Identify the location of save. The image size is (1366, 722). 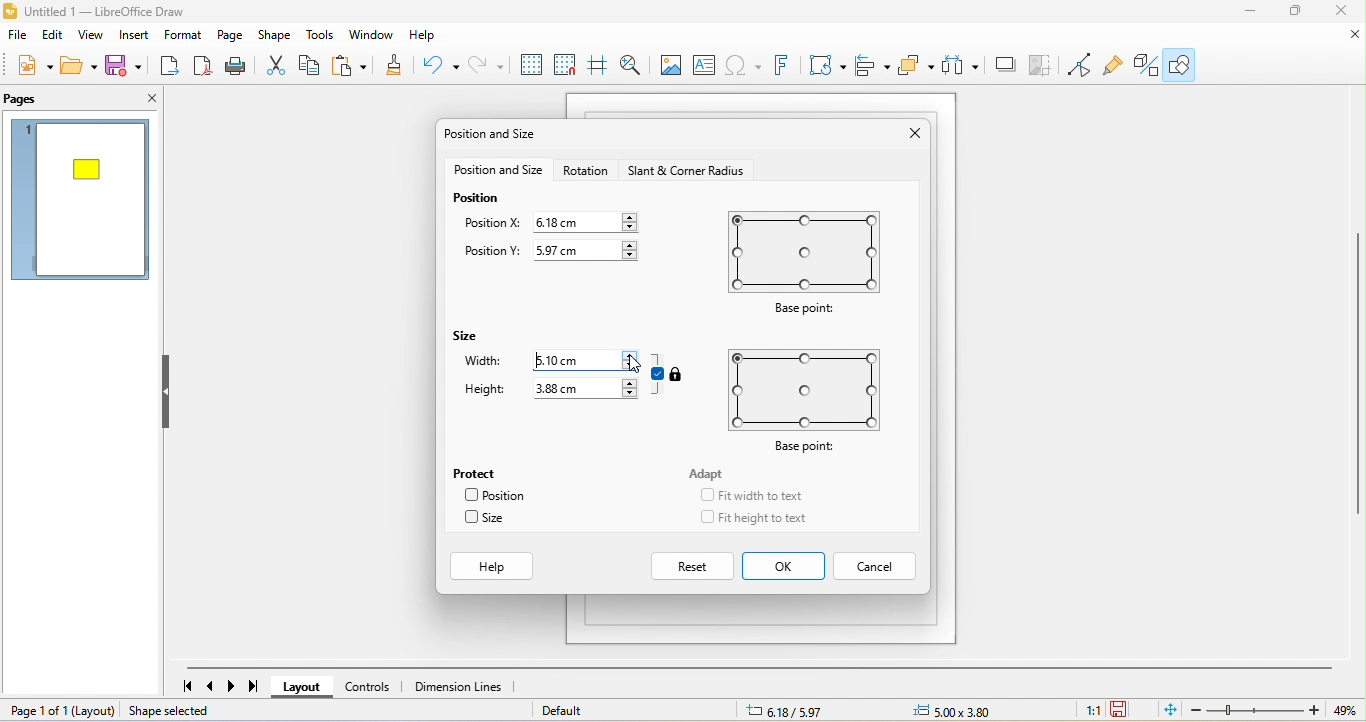
(125, 67).